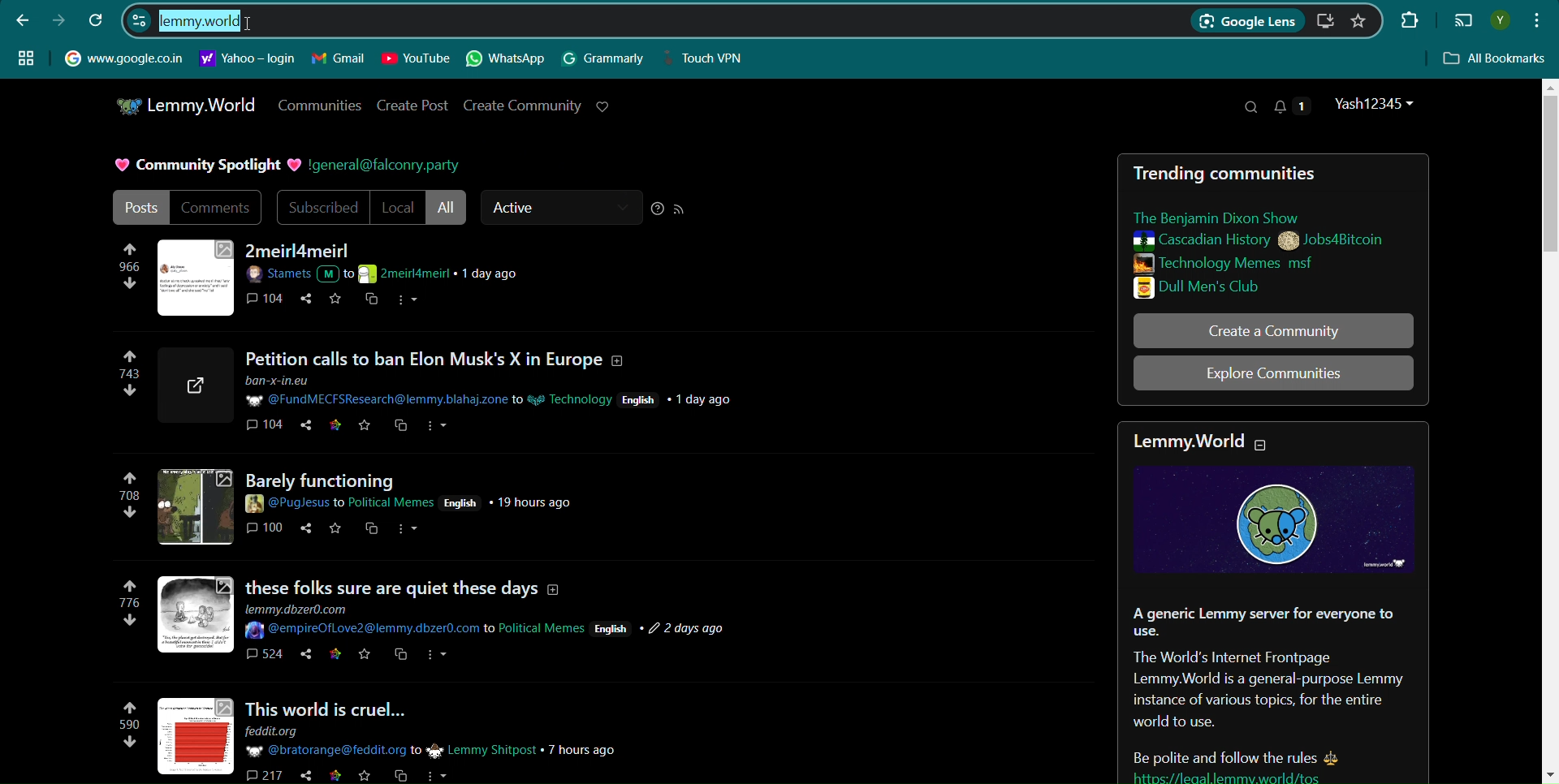  Describe the element at coordinates (397, 208) in the screenshot. I see `Local` at that location.